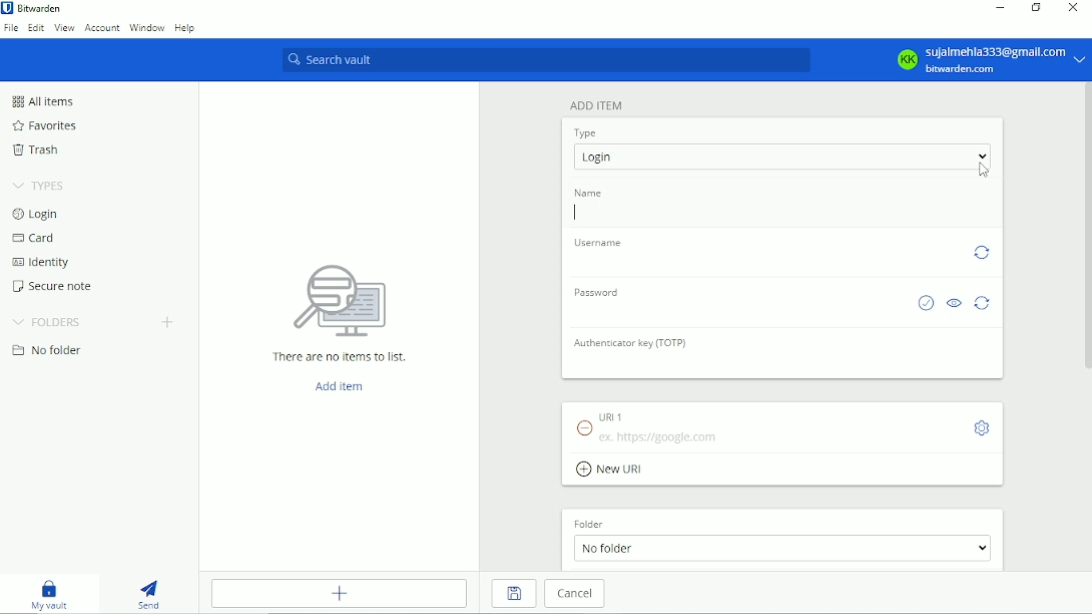 The width and height of the screenshot is (1092, 614). What do you see at coordinates (633, 314) in the screenshot?
I see `Type password` at bounding box center [633, 314].